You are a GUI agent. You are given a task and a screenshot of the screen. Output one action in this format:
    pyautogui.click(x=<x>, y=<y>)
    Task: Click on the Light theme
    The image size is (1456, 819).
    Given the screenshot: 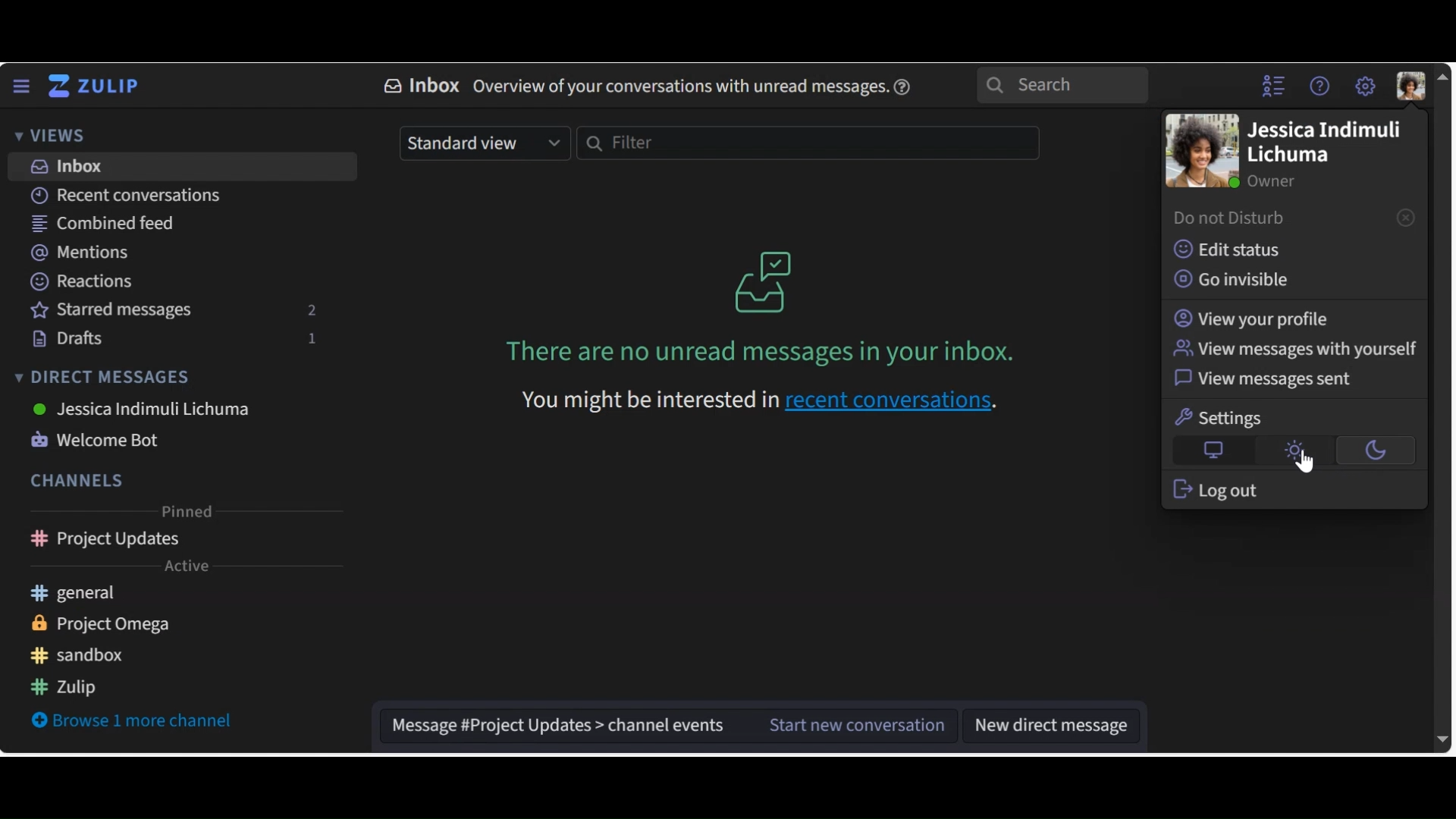 What is the action you would take?
    pyautogui.click(x=1294, y=451)
    